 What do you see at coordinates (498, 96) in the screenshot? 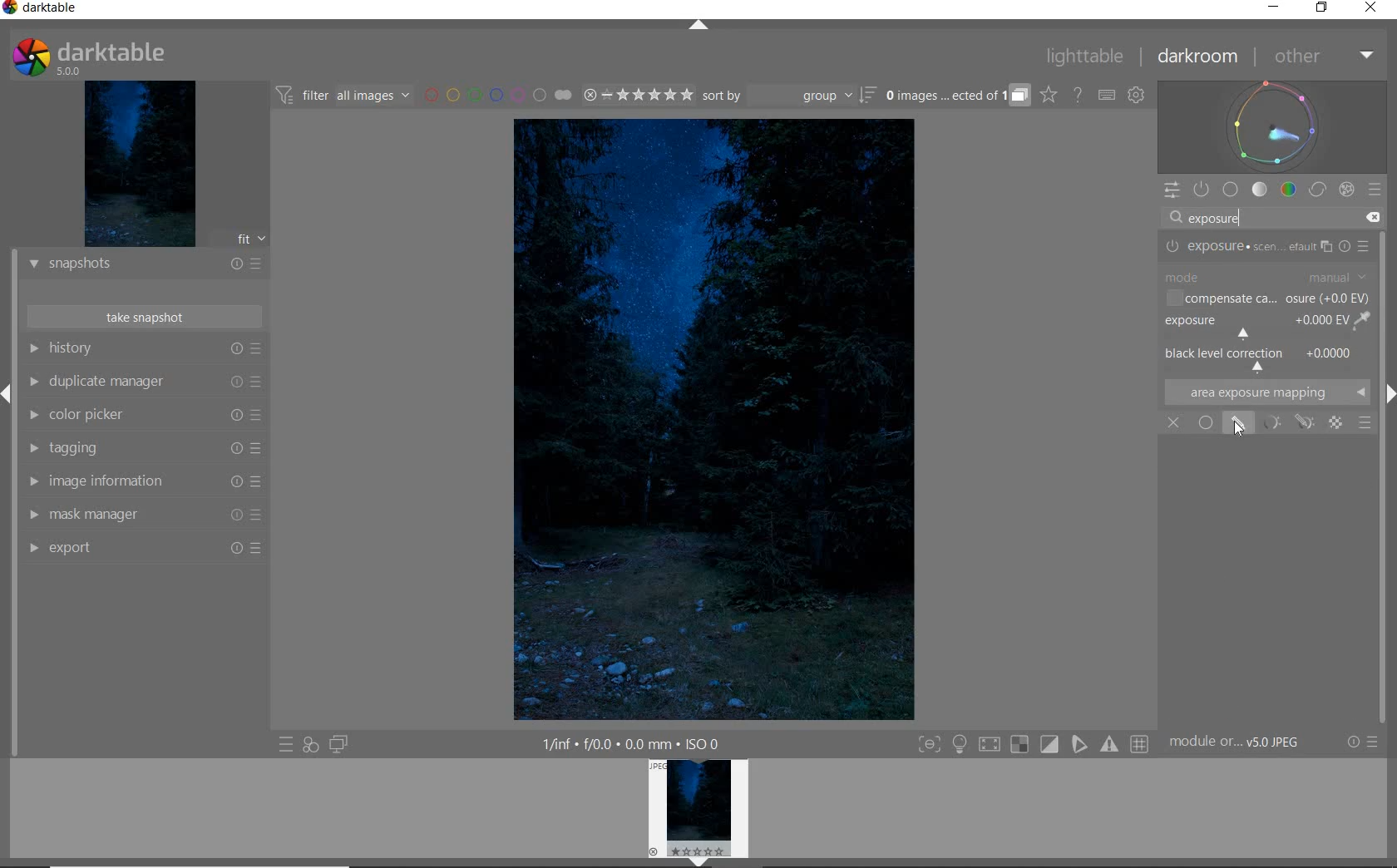
I see `FILTER BY IMAGE COLOR LABEL` at bounding box center [498, 96].